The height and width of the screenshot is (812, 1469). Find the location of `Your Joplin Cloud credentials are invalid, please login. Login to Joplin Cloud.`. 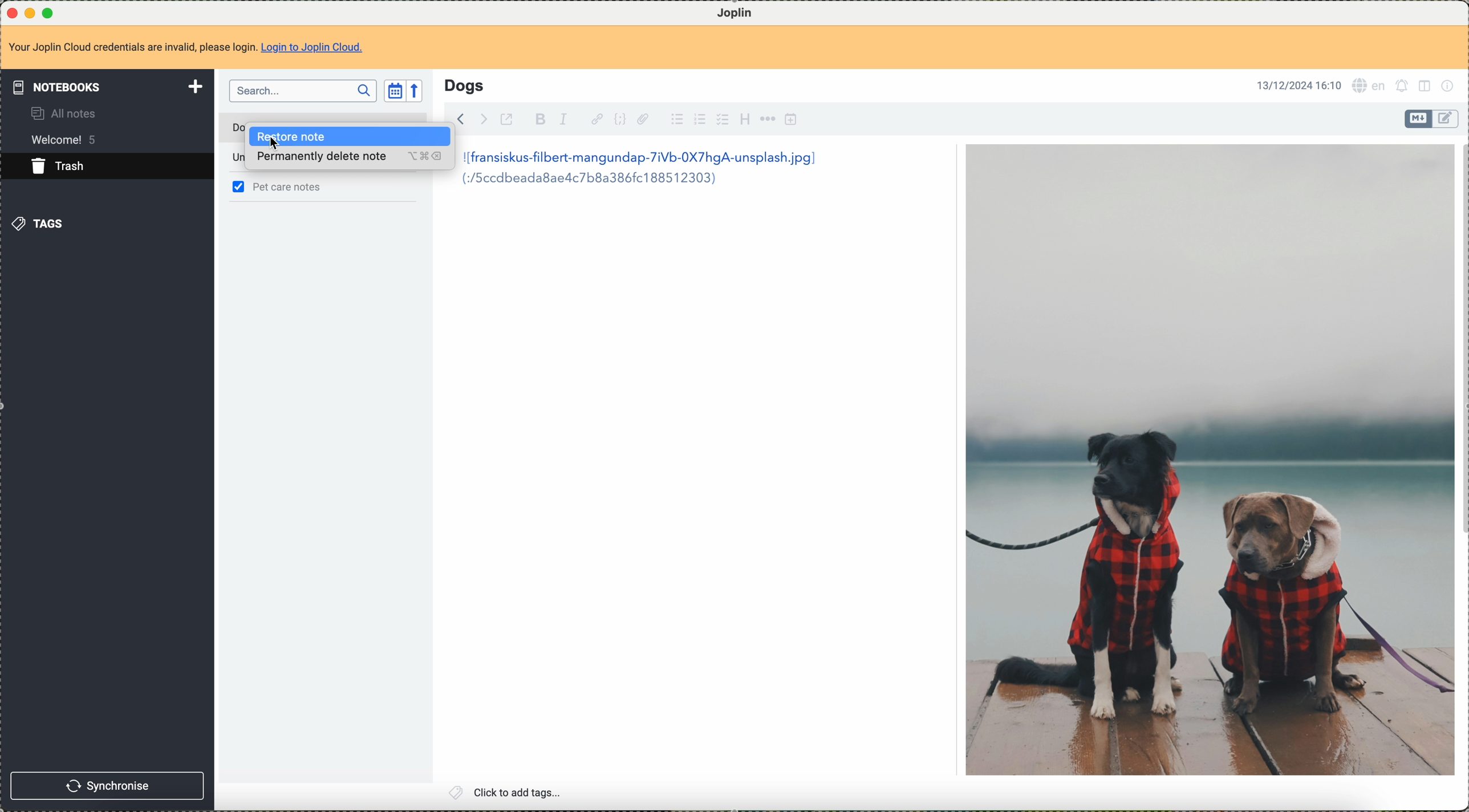

Your Joplin Cloud credentials are invalid, please login. Login to Joplin Cloud. is located at coordinates (197, 47).